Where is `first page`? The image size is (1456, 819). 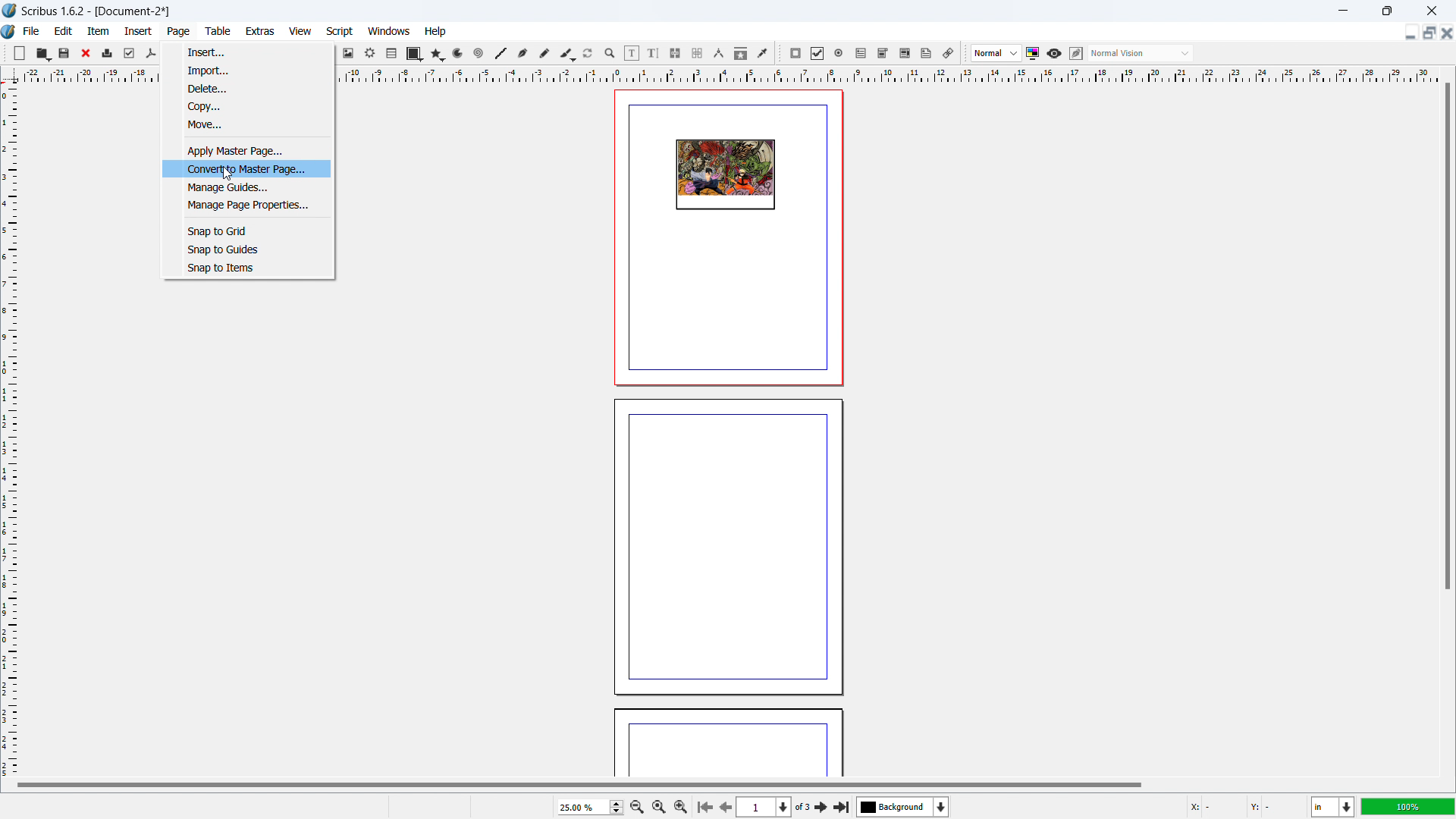
first page is located at coordinates (704, 805).